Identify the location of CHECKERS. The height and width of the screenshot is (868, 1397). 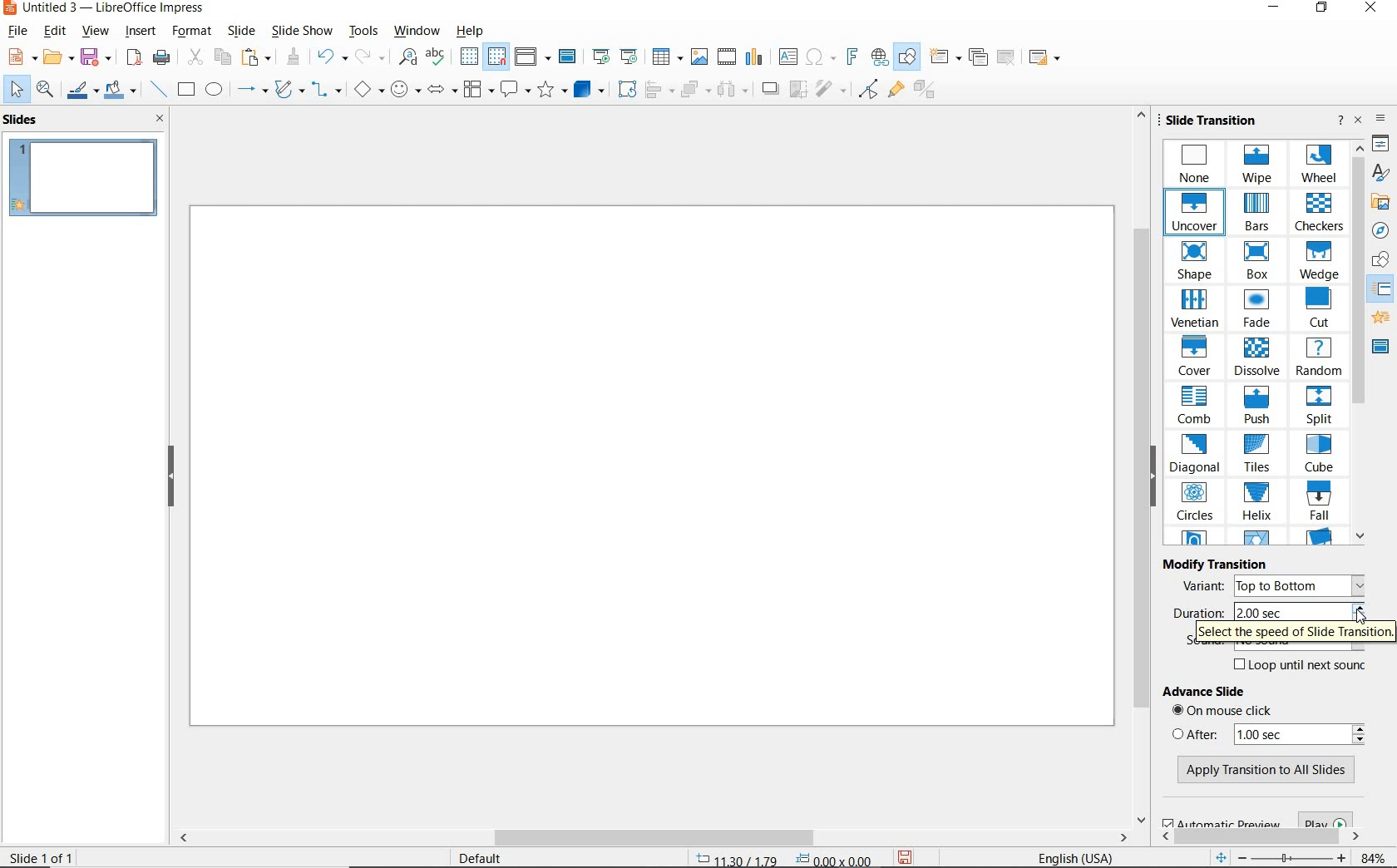
(1320, 214).